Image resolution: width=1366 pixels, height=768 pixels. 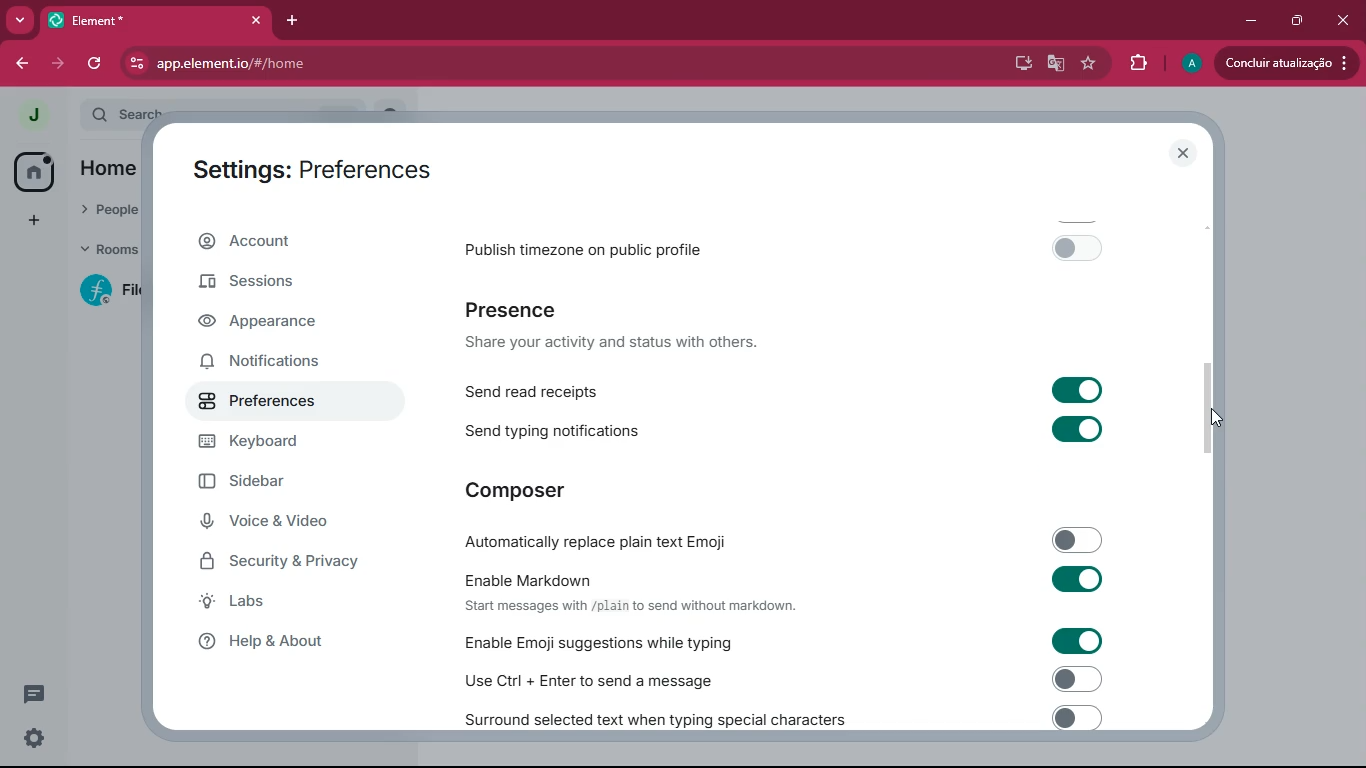 I want to click on extensions, so click(x=1139, y=64).